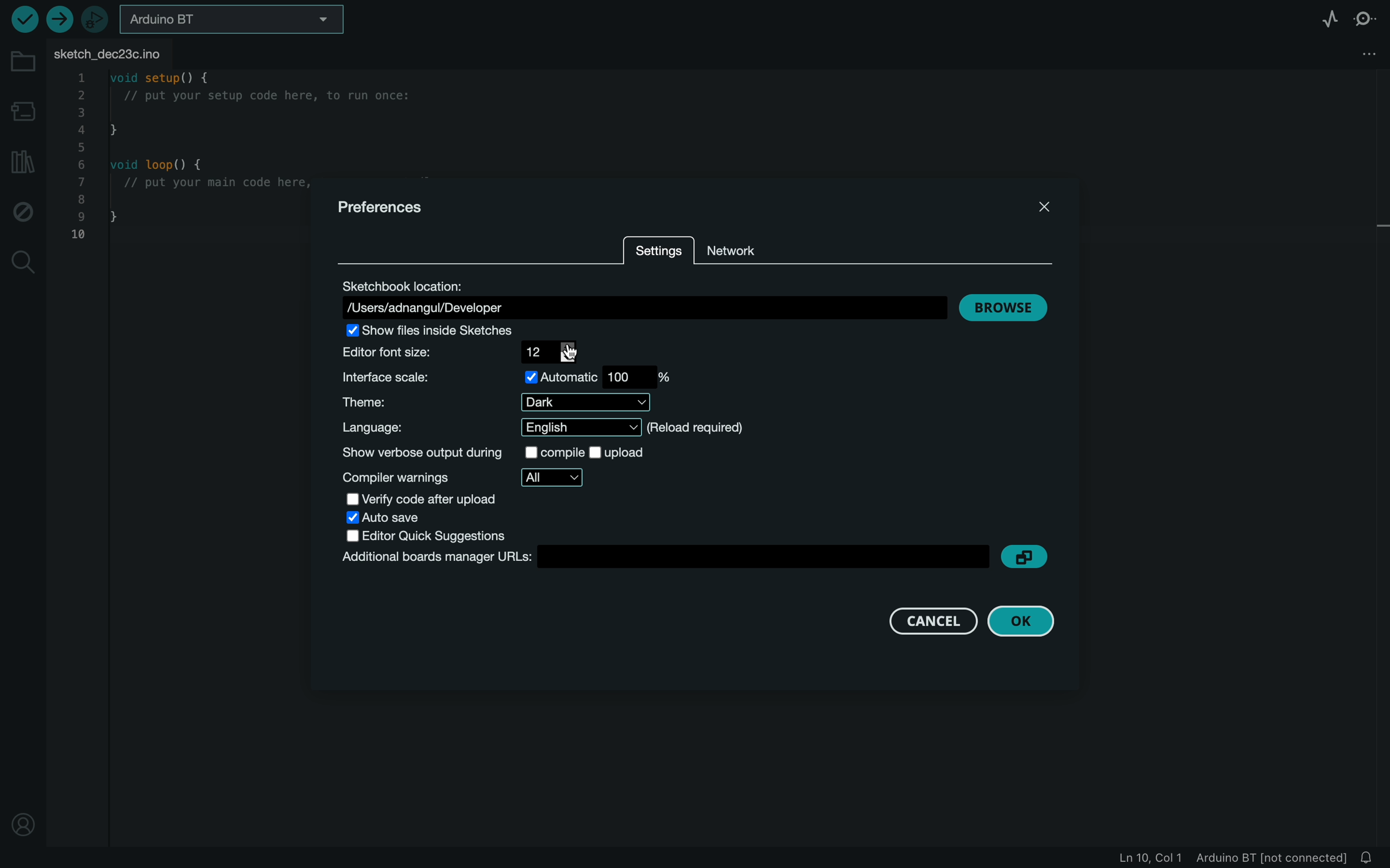  Describe the element at coordinates (461, 331) in the screenshot. I see `show file` at that location.